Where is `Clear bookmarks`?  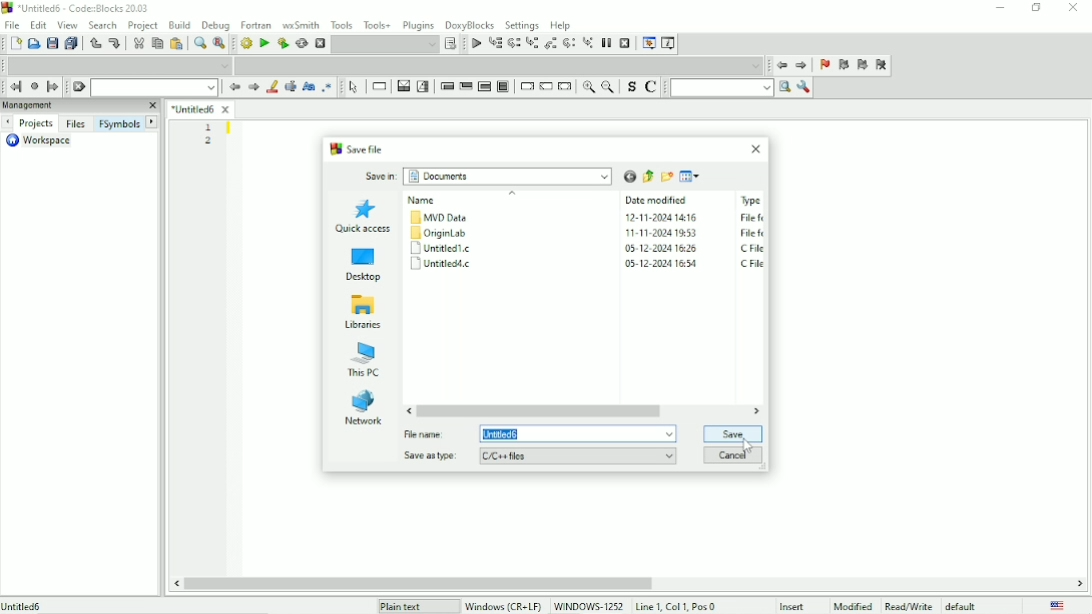
Clear bookmarks is located at coordinates (881, 65).